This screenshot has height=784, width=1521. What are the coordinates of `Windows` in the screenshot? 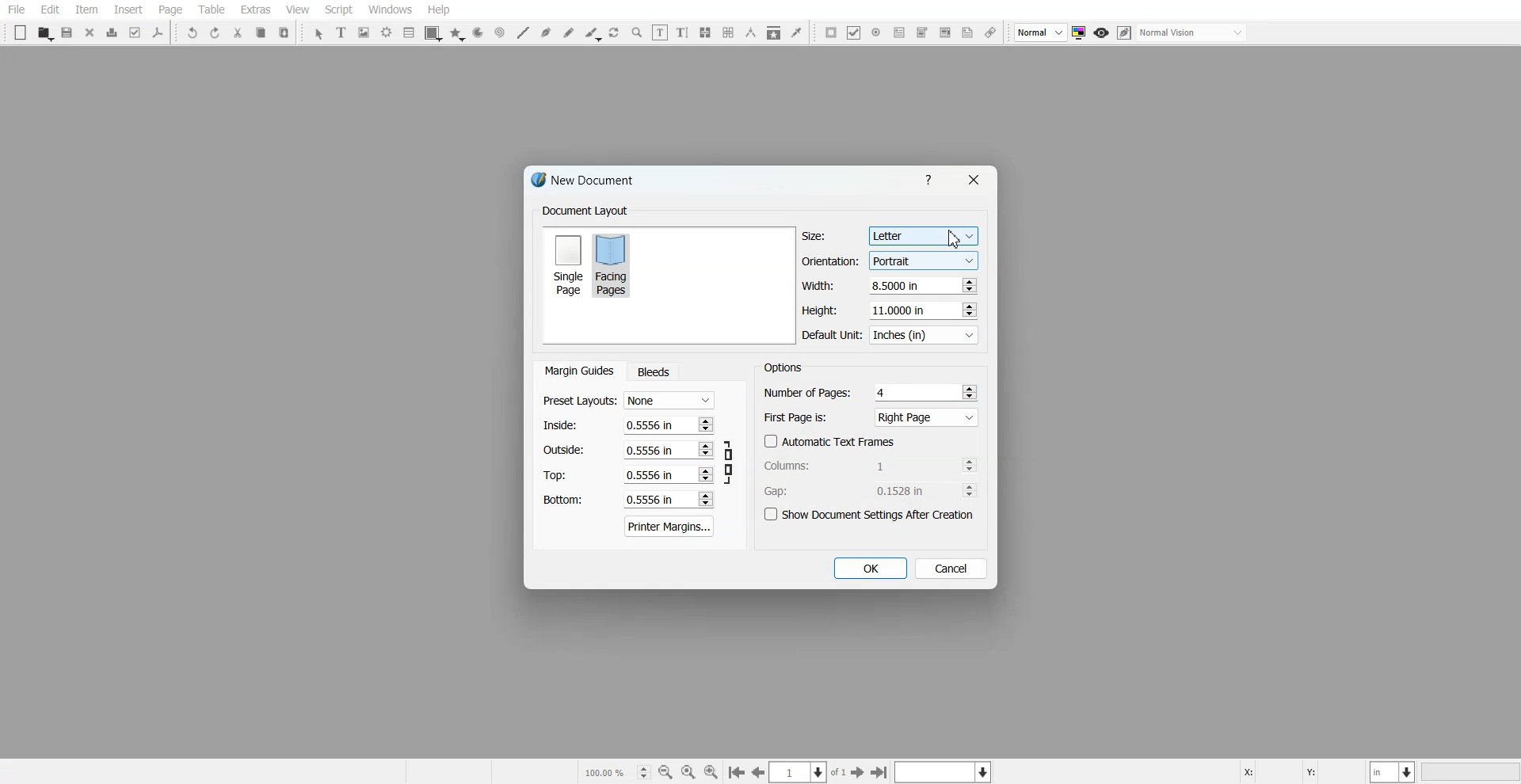 It's located at (391, 10).